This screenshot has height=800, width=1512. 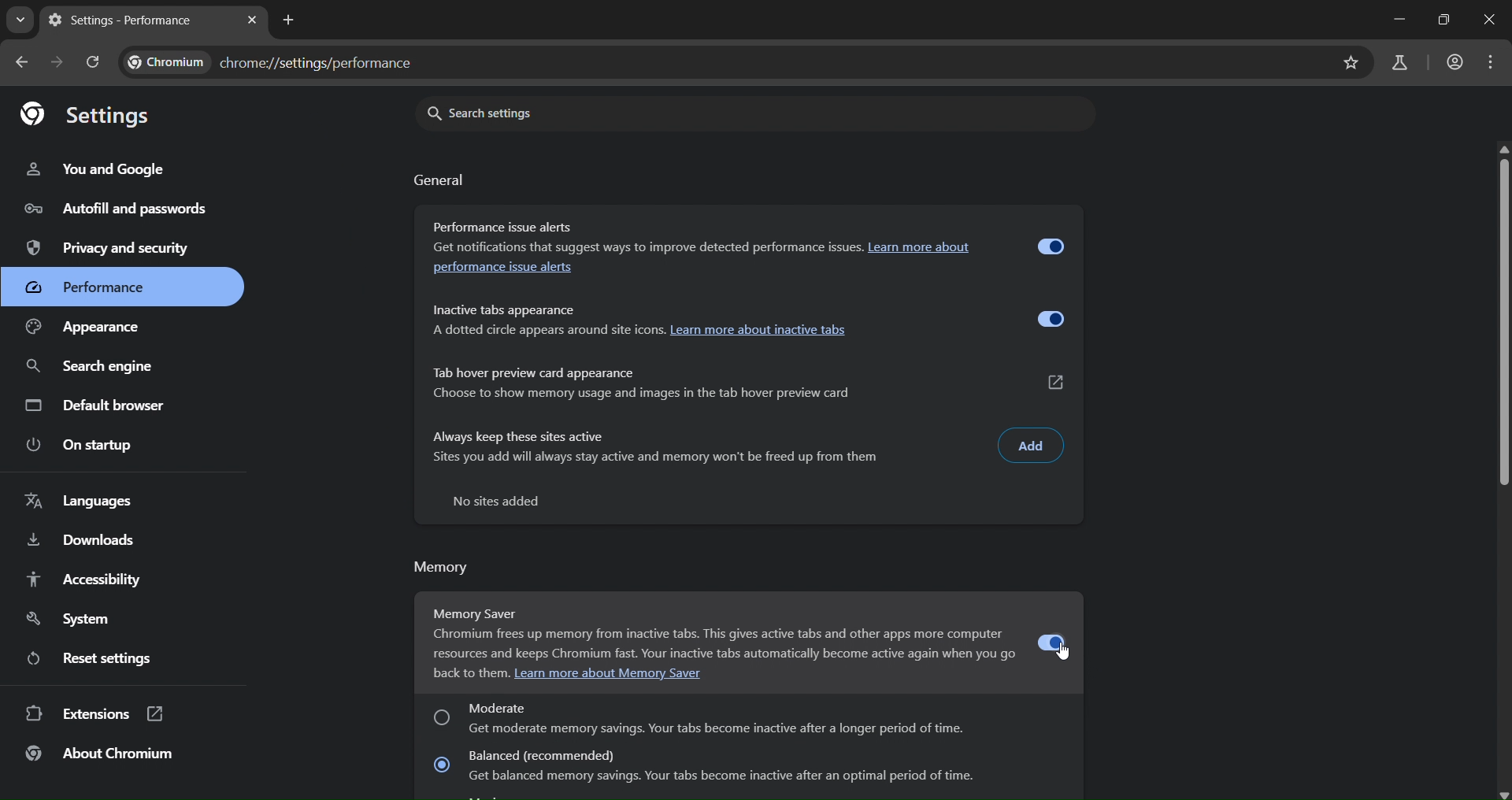 What do you see at coordinates (1399, 63) in the screenshot?
I see `search labs` at bounding box center [1399, 63].